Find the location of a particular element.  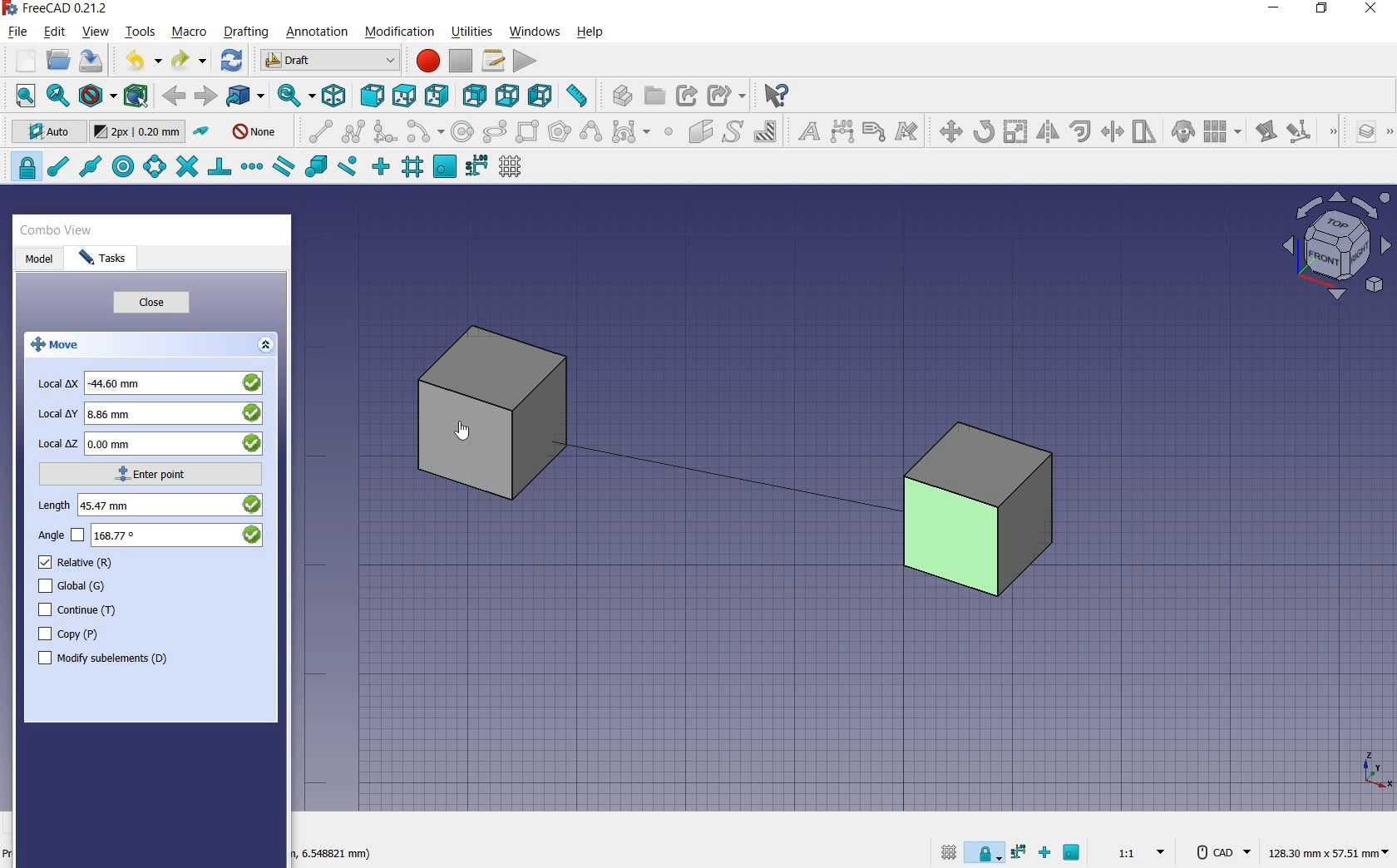

back is located at coordinates (175, 96).